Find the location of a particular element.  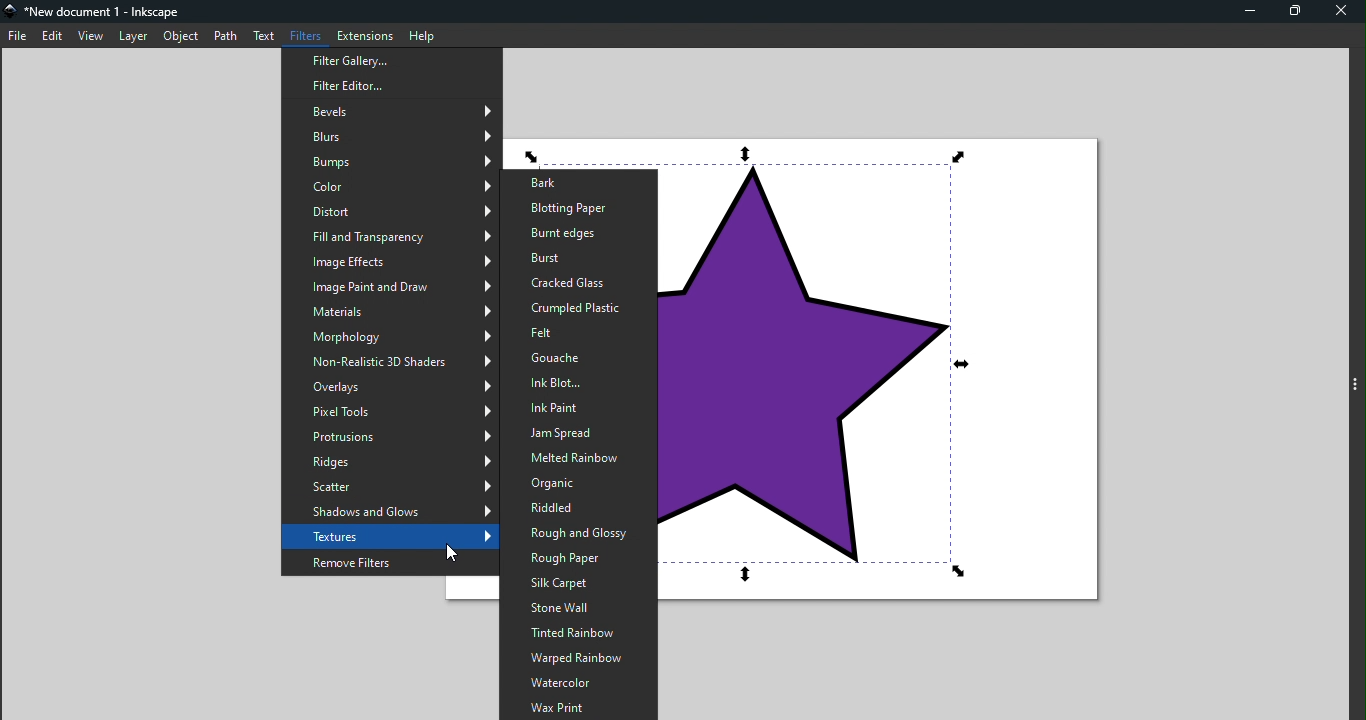

Filters is located at coordinates (303, 35).